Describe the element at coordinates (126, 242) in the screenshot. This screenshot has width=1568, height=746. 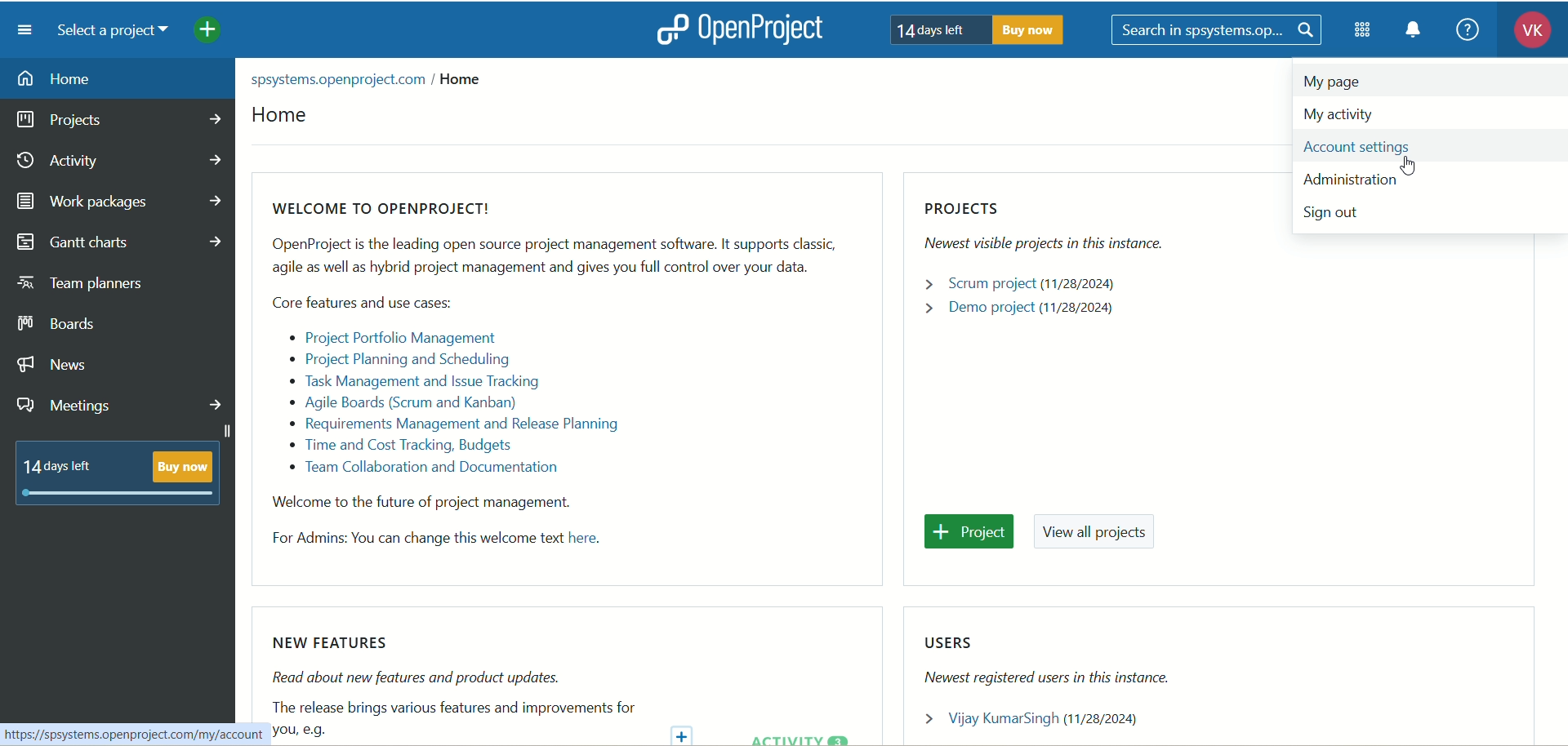
I see `gantt charts` at that location.